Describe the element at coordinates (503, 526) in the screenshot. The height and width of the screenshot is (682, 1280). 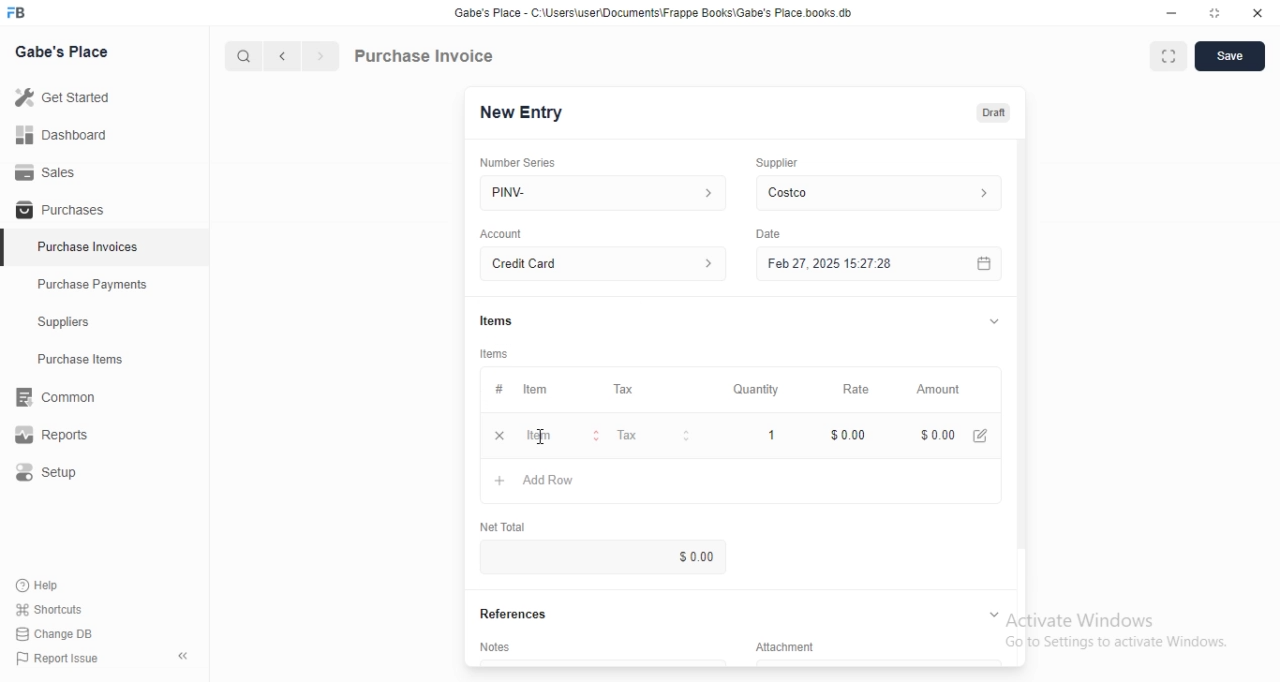
I see `Net Total` at that location.